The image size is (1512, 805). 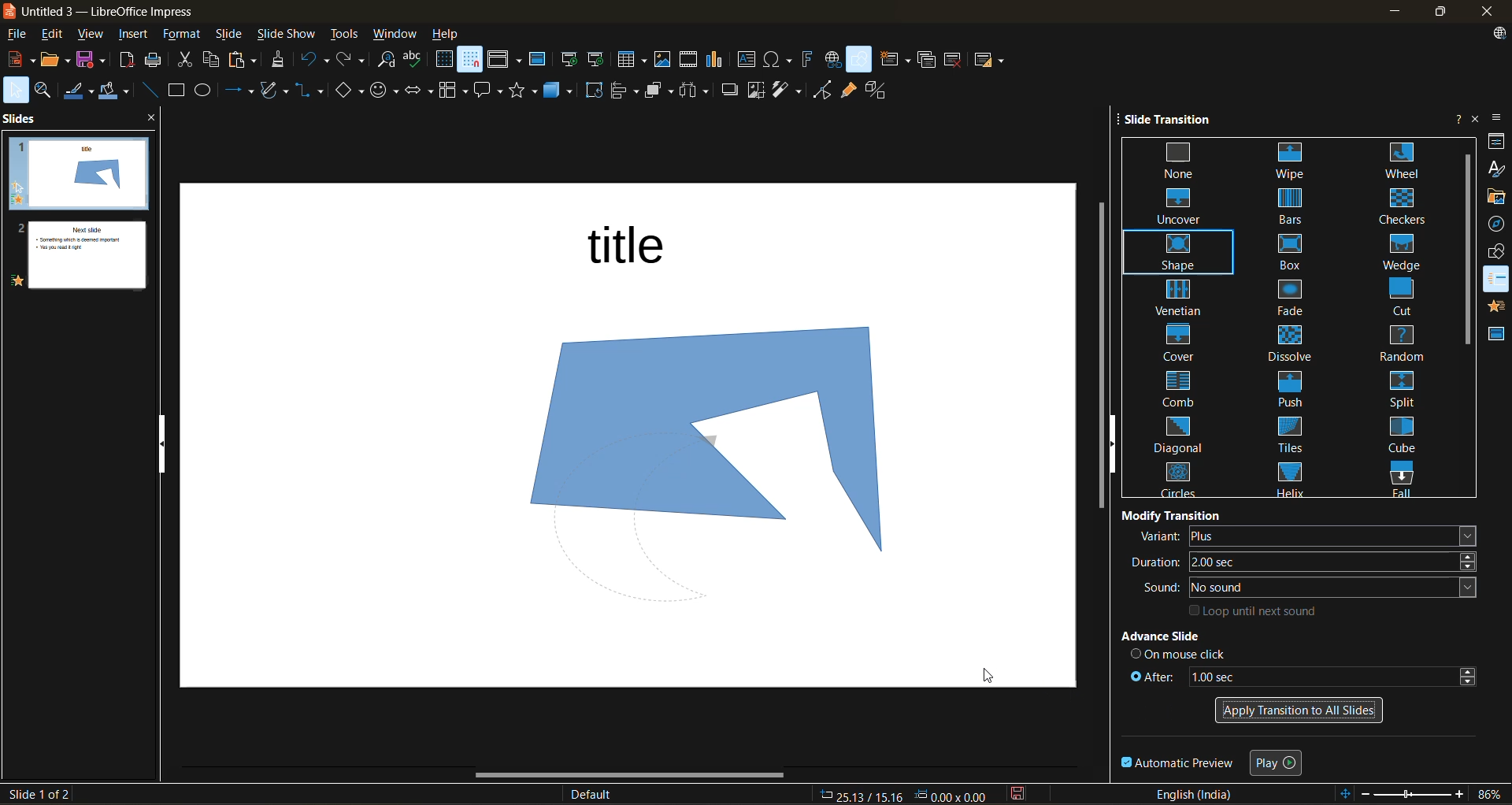 What do you see at coordinates (1496, 197) in the screenshot?
I see `gallery` at bounding box center [1496, 197].